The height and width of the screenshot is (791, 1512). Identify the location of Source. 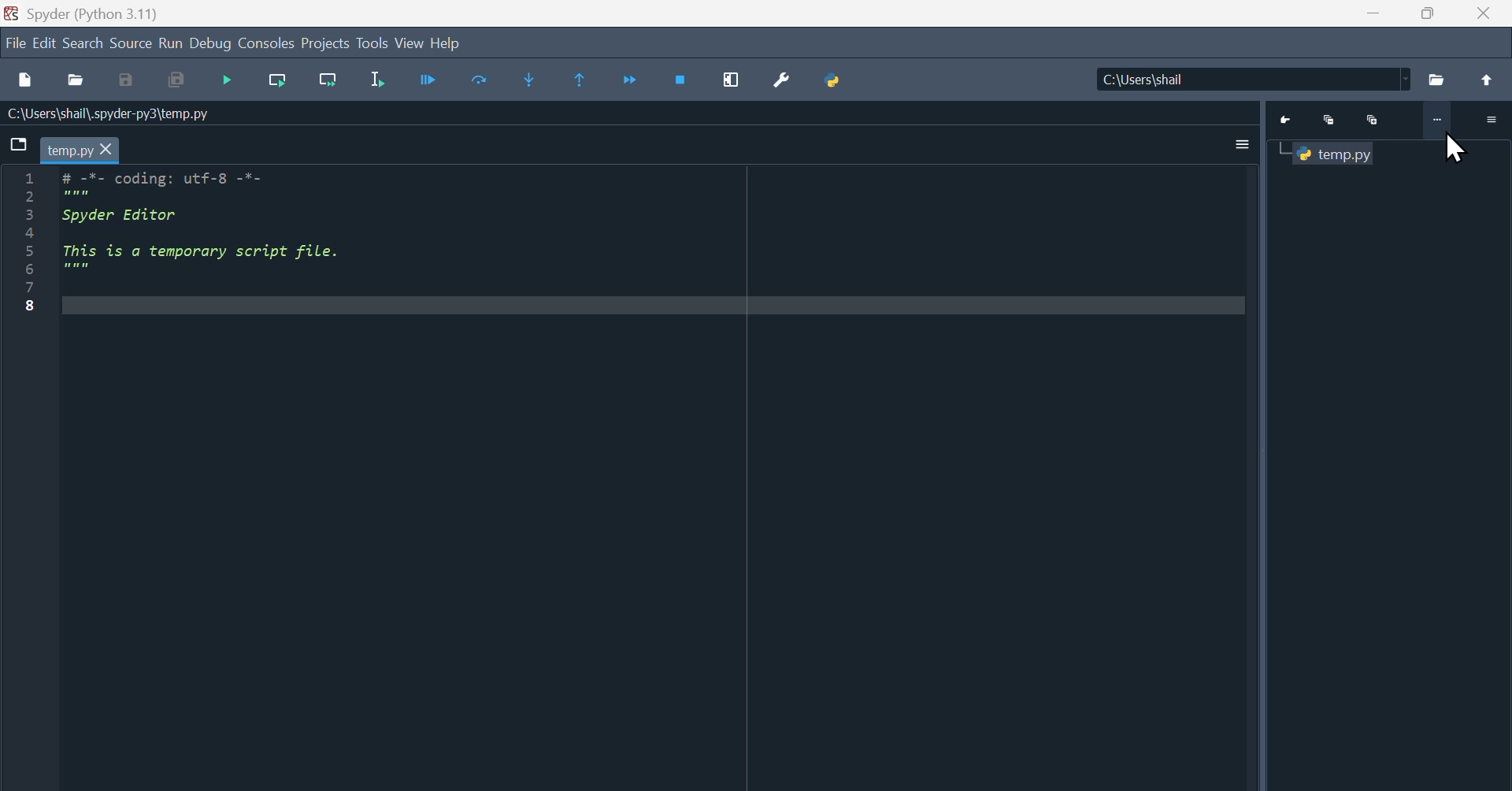
(132, 44).